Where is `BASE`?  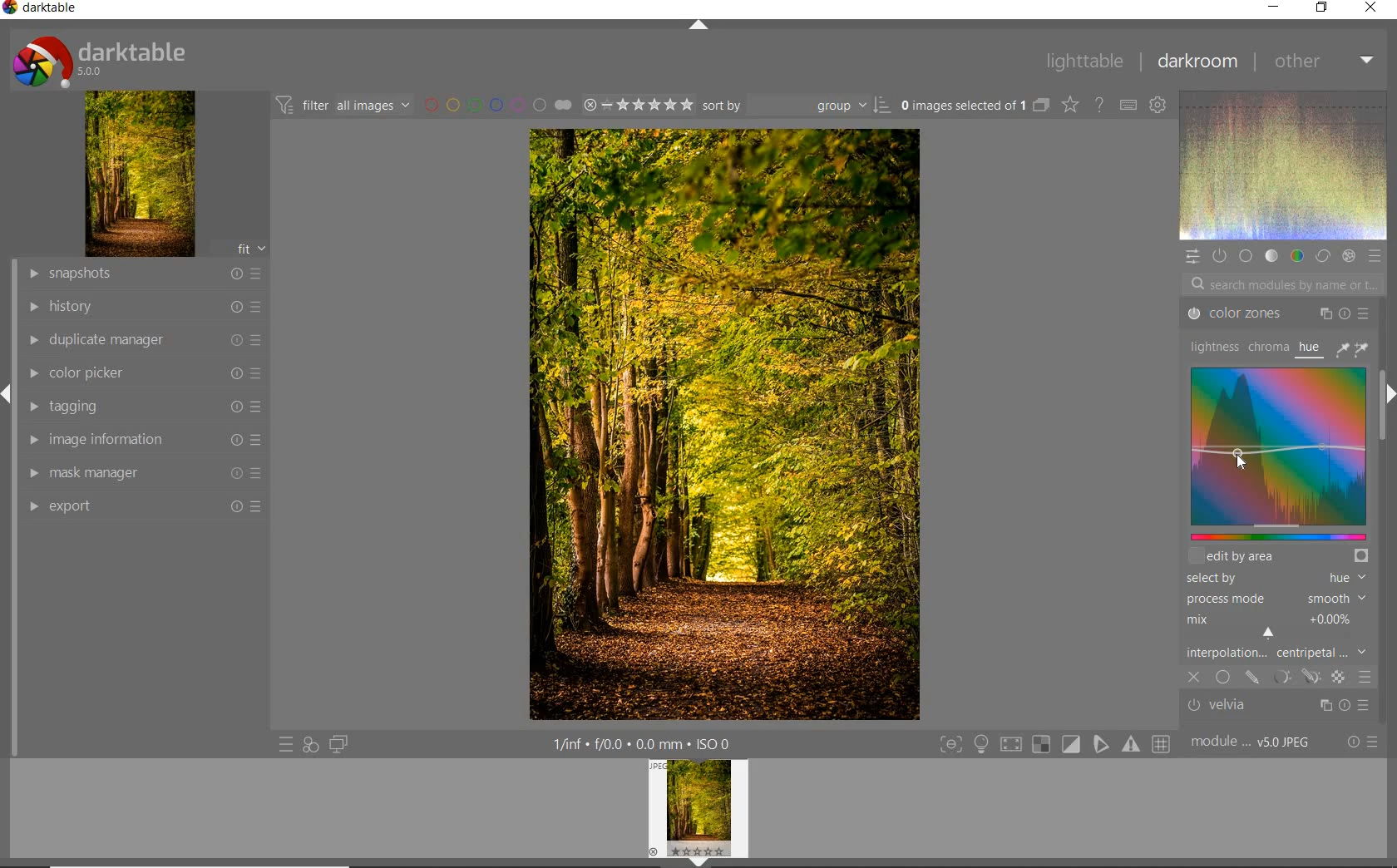 BASE is located at coordinates (1246, 258).